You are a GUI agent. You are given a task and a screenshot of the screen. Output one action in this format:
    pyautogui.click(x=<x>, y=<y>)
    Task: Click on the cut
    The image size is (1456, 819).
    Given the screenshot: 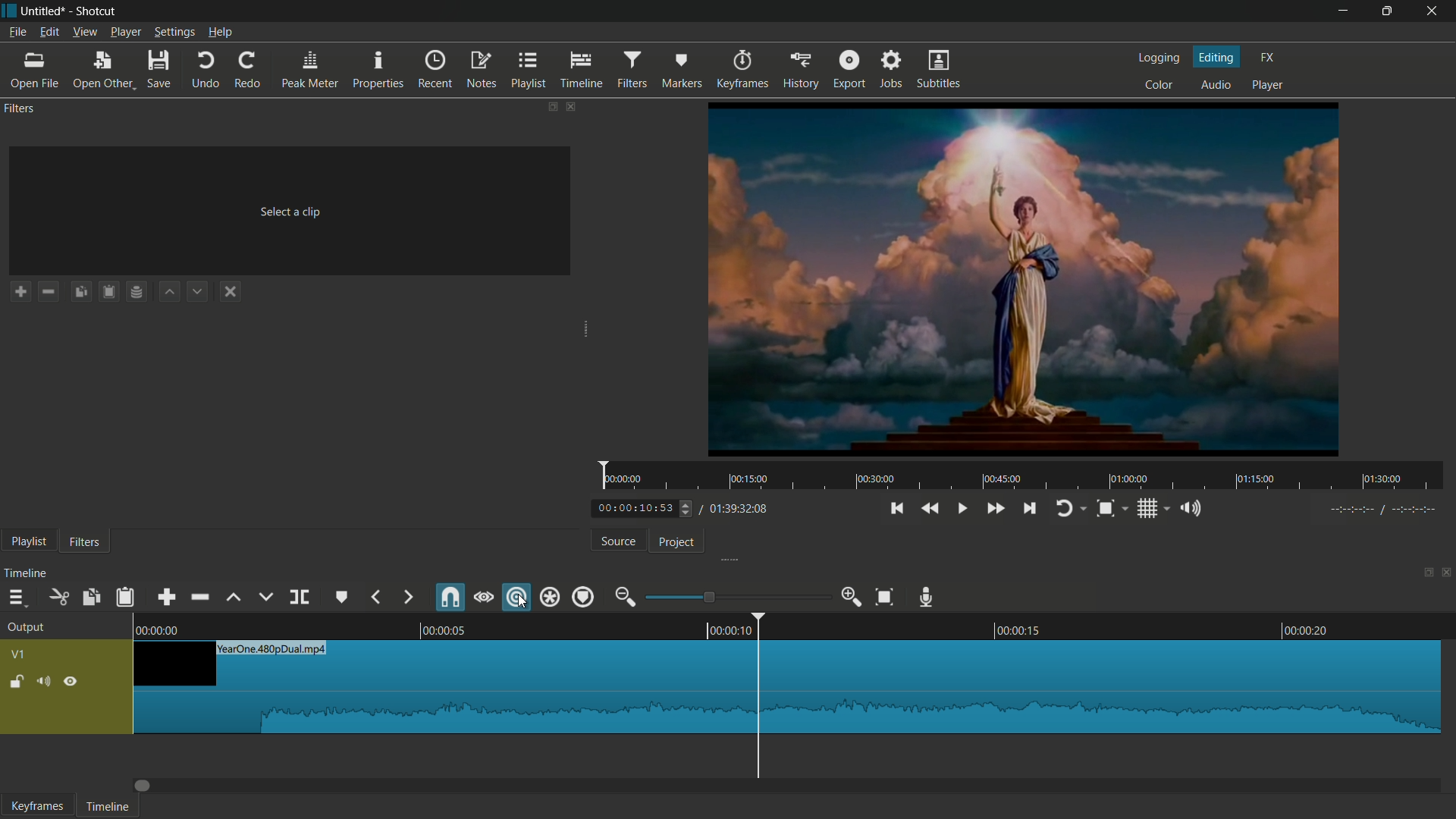 What is the action you would take?
    pyautogui.click(x=57, y=598)
    